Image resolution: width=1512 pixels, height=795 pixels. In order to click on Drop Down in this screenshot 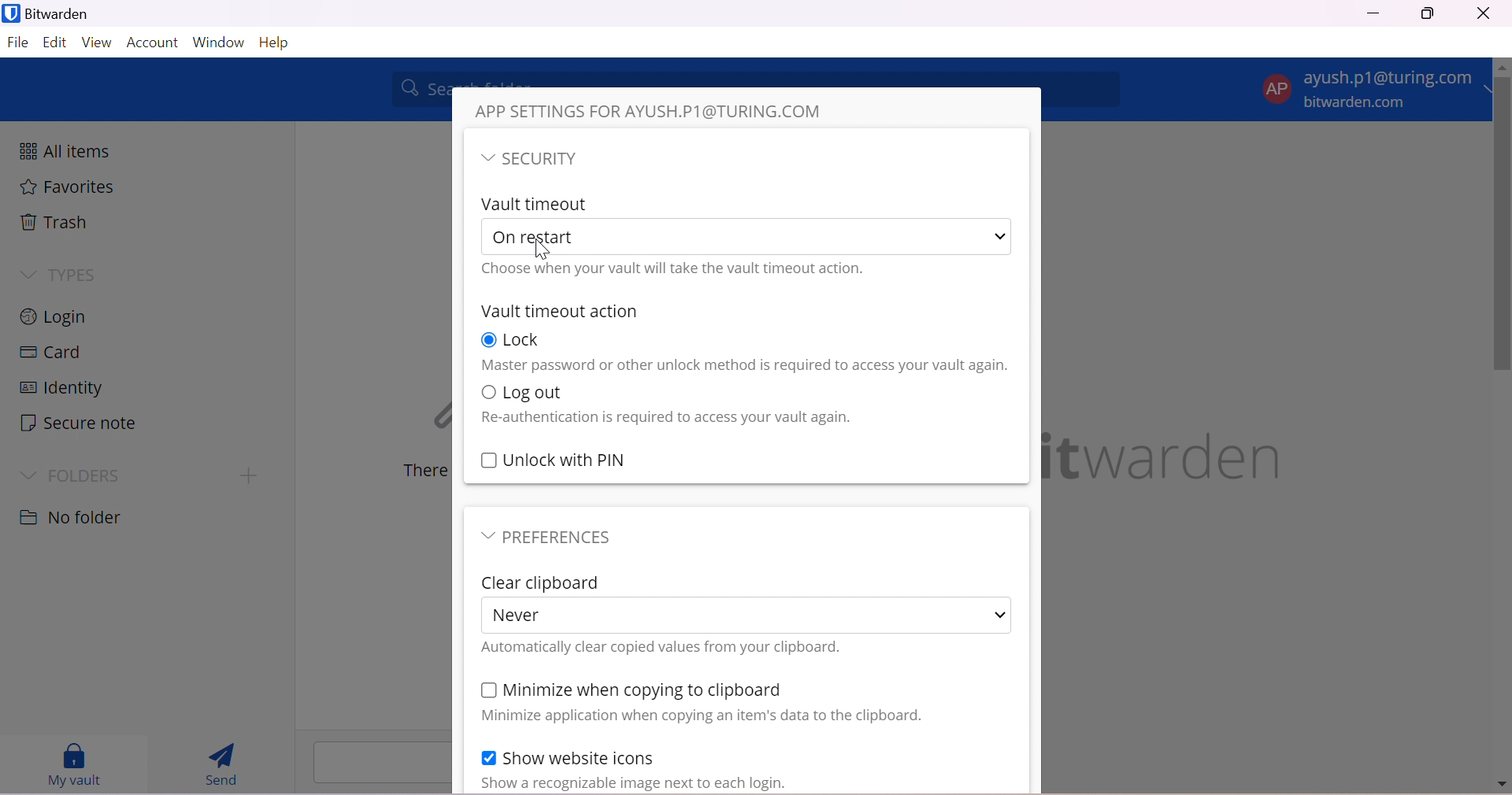, I will do `click(1002, 614)`.